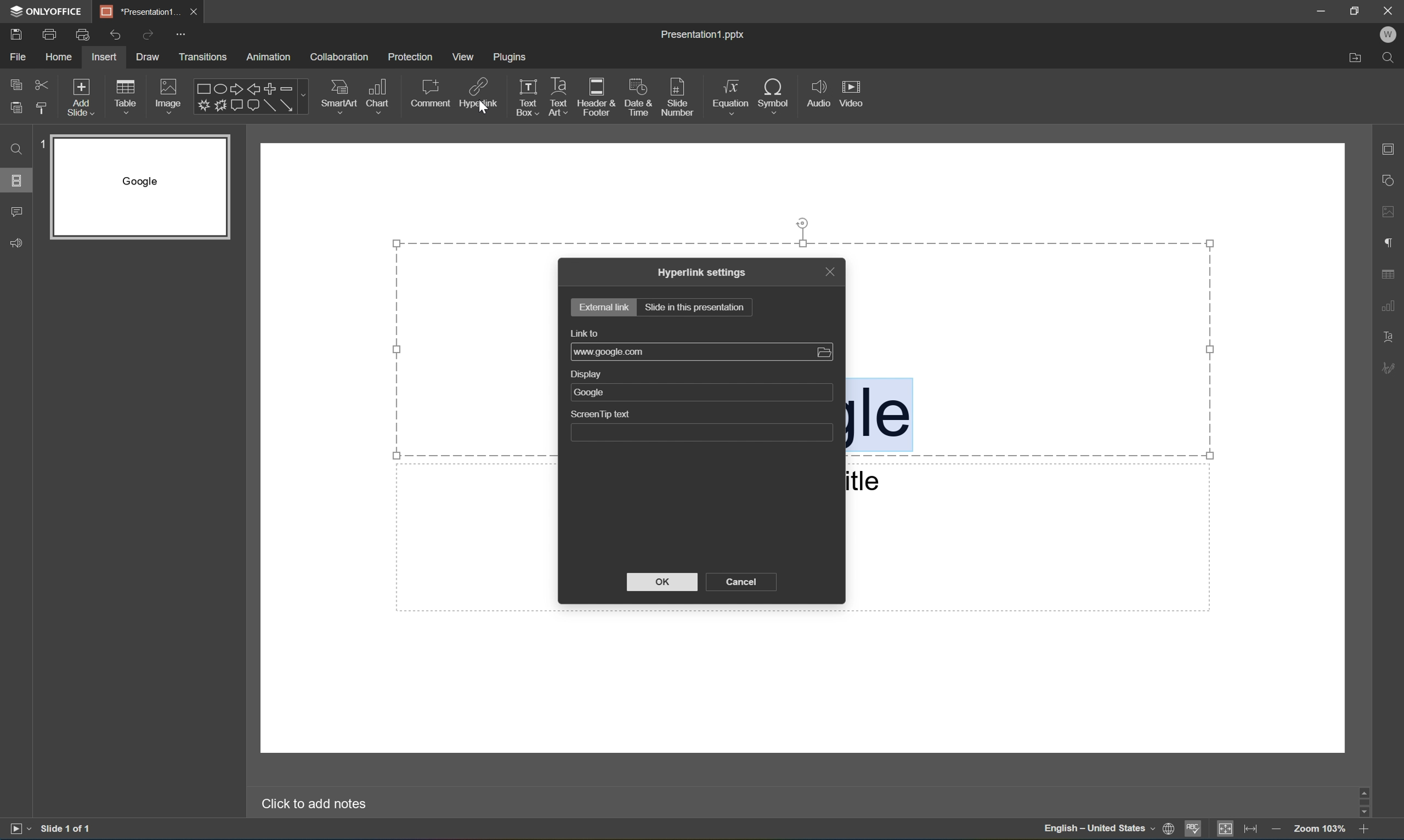 This screenshot has height=840, width=1404. What do you see at coordinates (338, 57) in the screenshot?
I see `Collaboration` at bounding box center [338, 57].